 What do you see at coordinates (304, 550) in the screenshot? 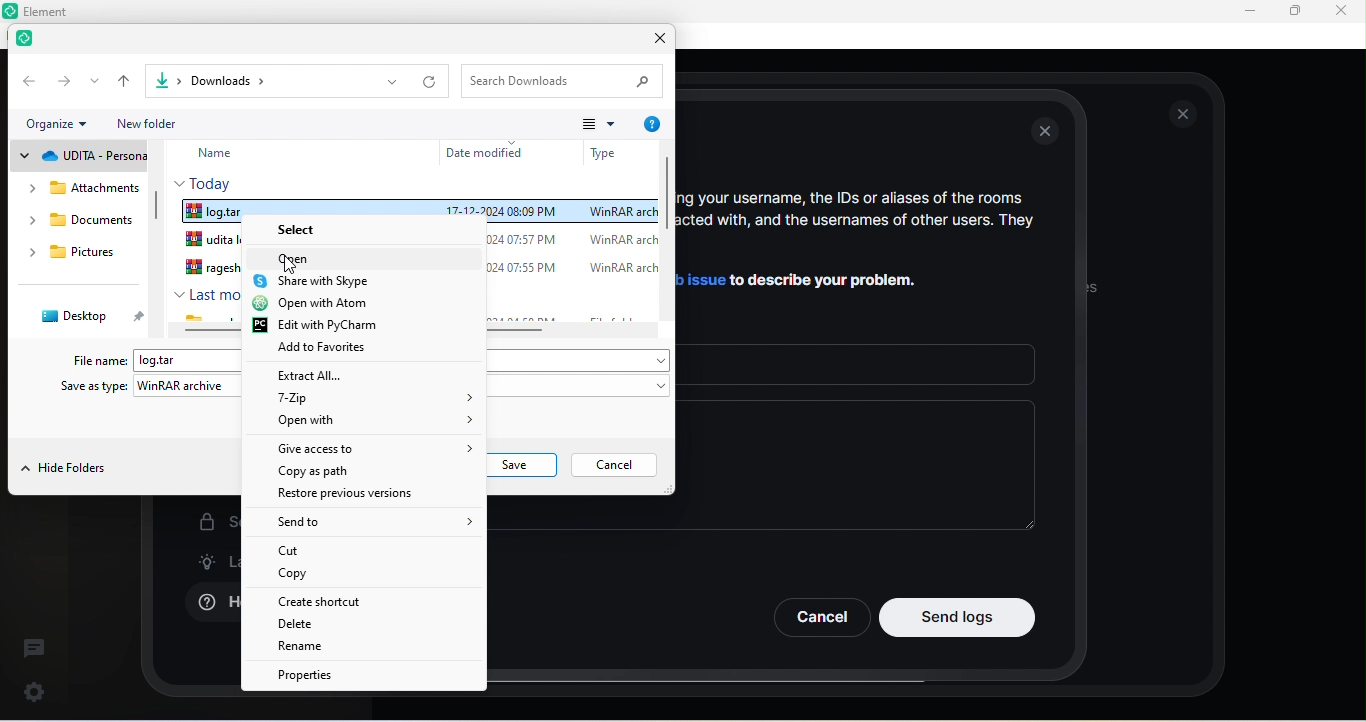
I see `cut` at bounding box center [304, 550].